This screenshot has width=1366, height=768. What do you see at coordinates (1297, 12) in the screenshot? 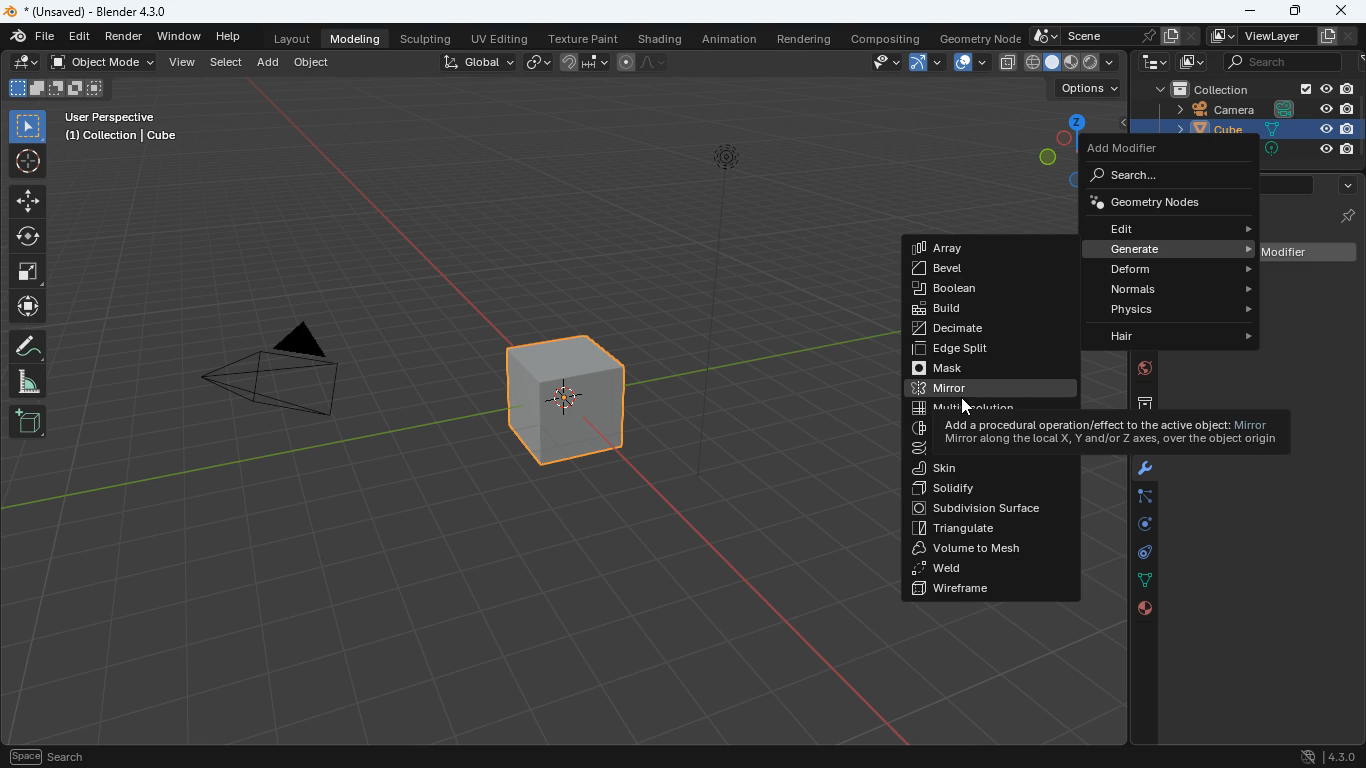
I see `maximize` at bounding box center [1297, 12].